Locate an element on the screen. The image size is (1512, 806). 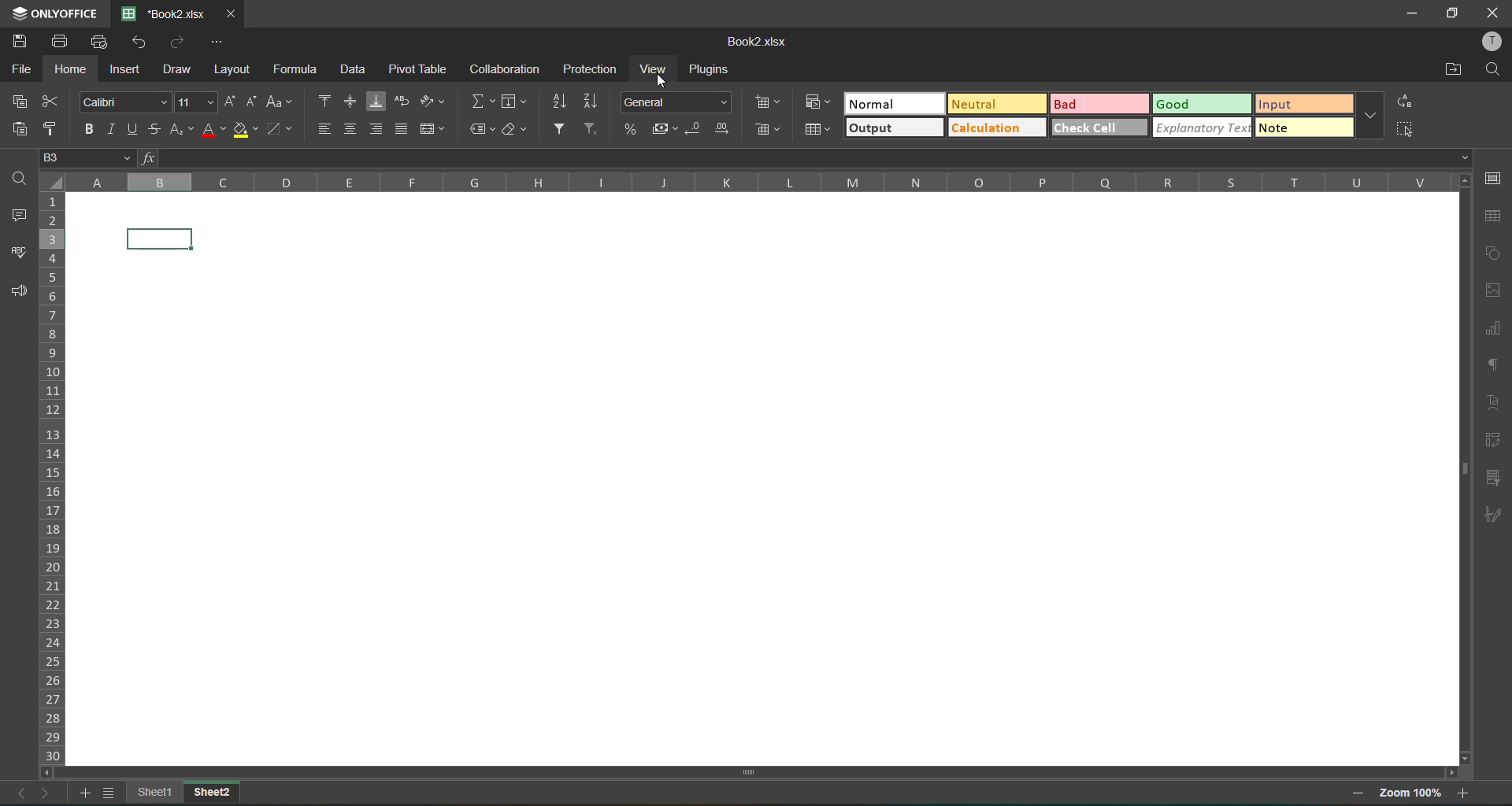
close tab is located at coordinates (228, 13).